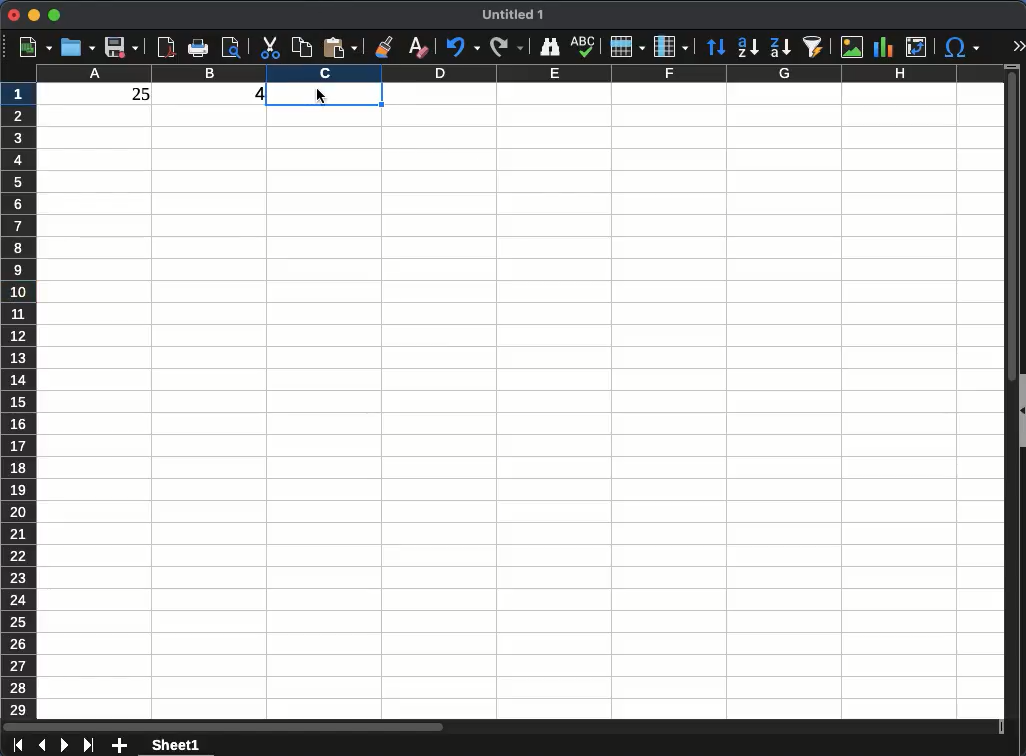 Image resolution: width=1026 pixels, height=756 pixels. I want to click on paste, so click(340, 48).